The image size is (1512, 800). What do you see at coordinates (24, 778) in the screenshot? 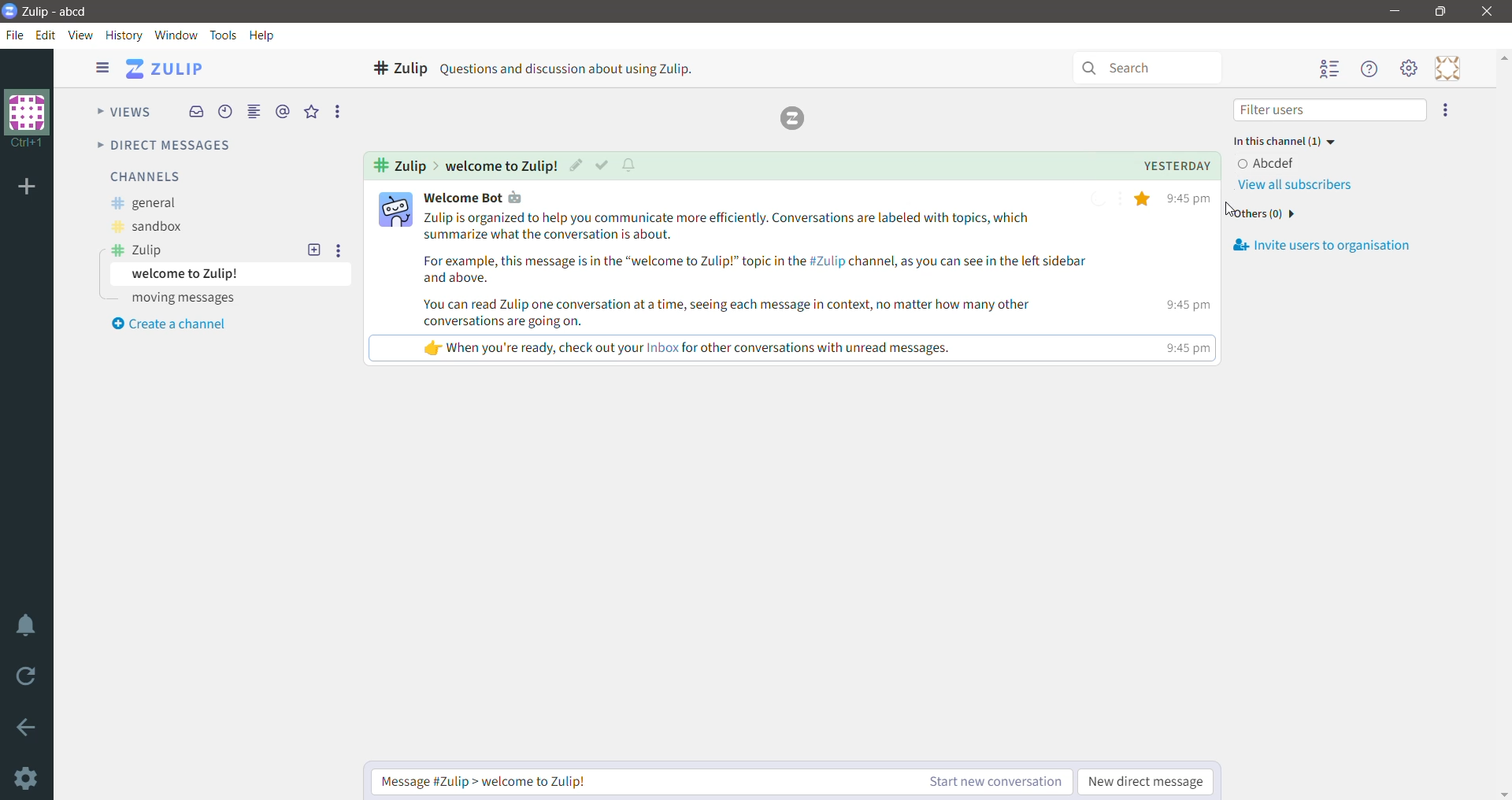
I see `Settings` at bounding box center [24, 778].